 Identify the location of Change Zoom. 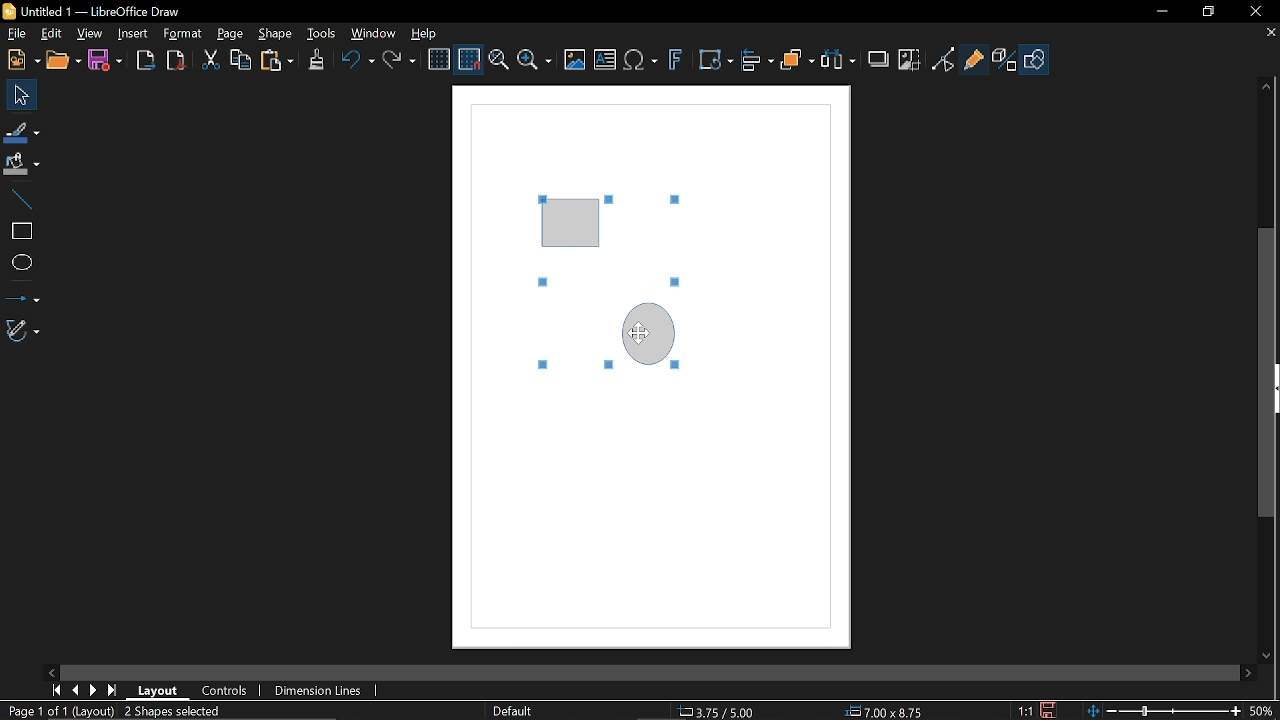
(1166, 712).